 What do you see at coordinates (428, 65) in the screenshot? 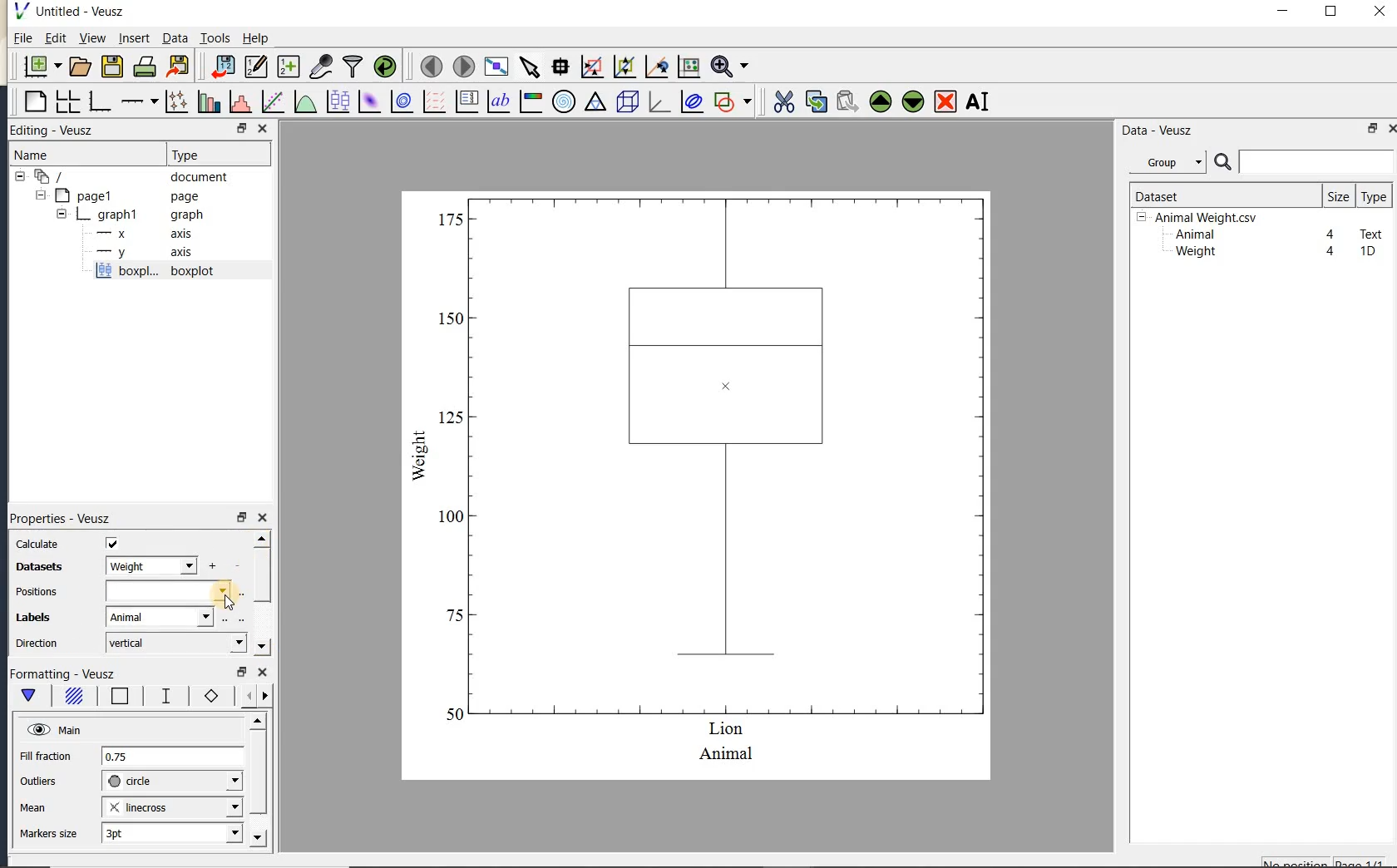
I see `move to the previous page` at bounding box center [428, 65].